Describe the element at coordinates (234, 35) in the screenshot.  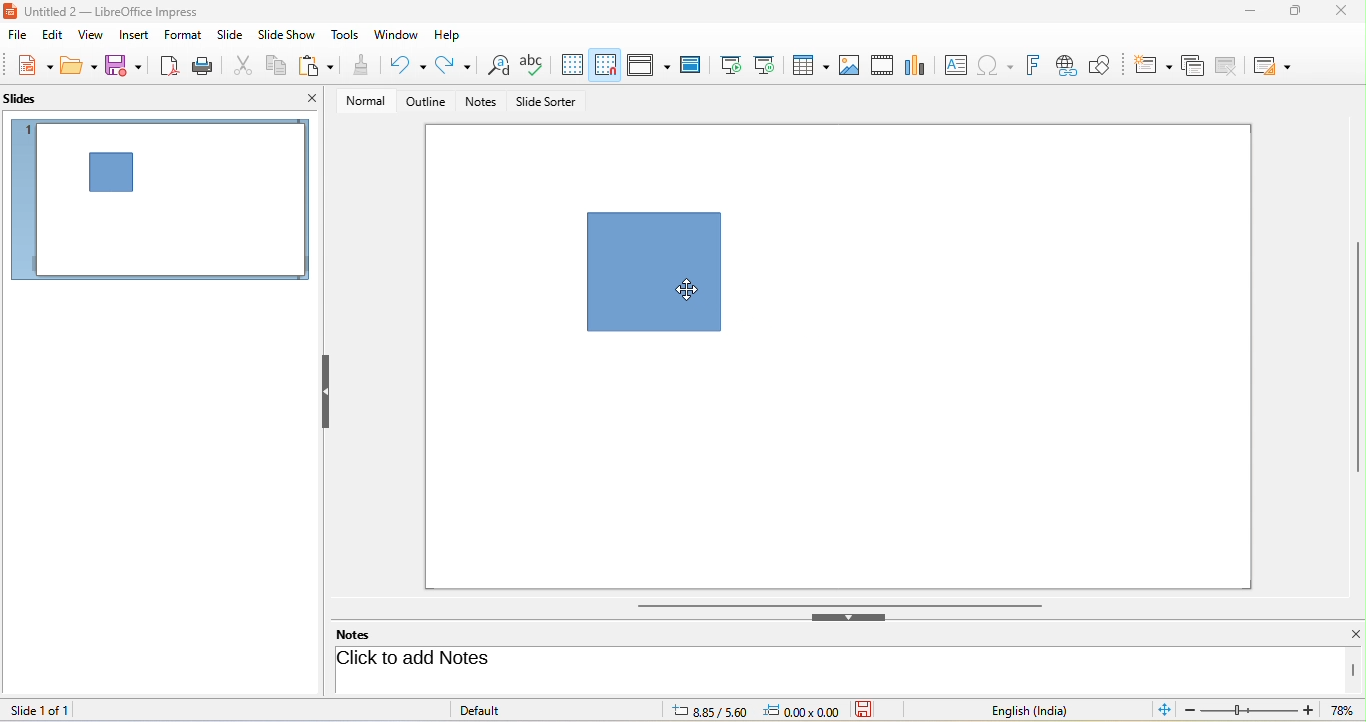
I see `side` at that location.